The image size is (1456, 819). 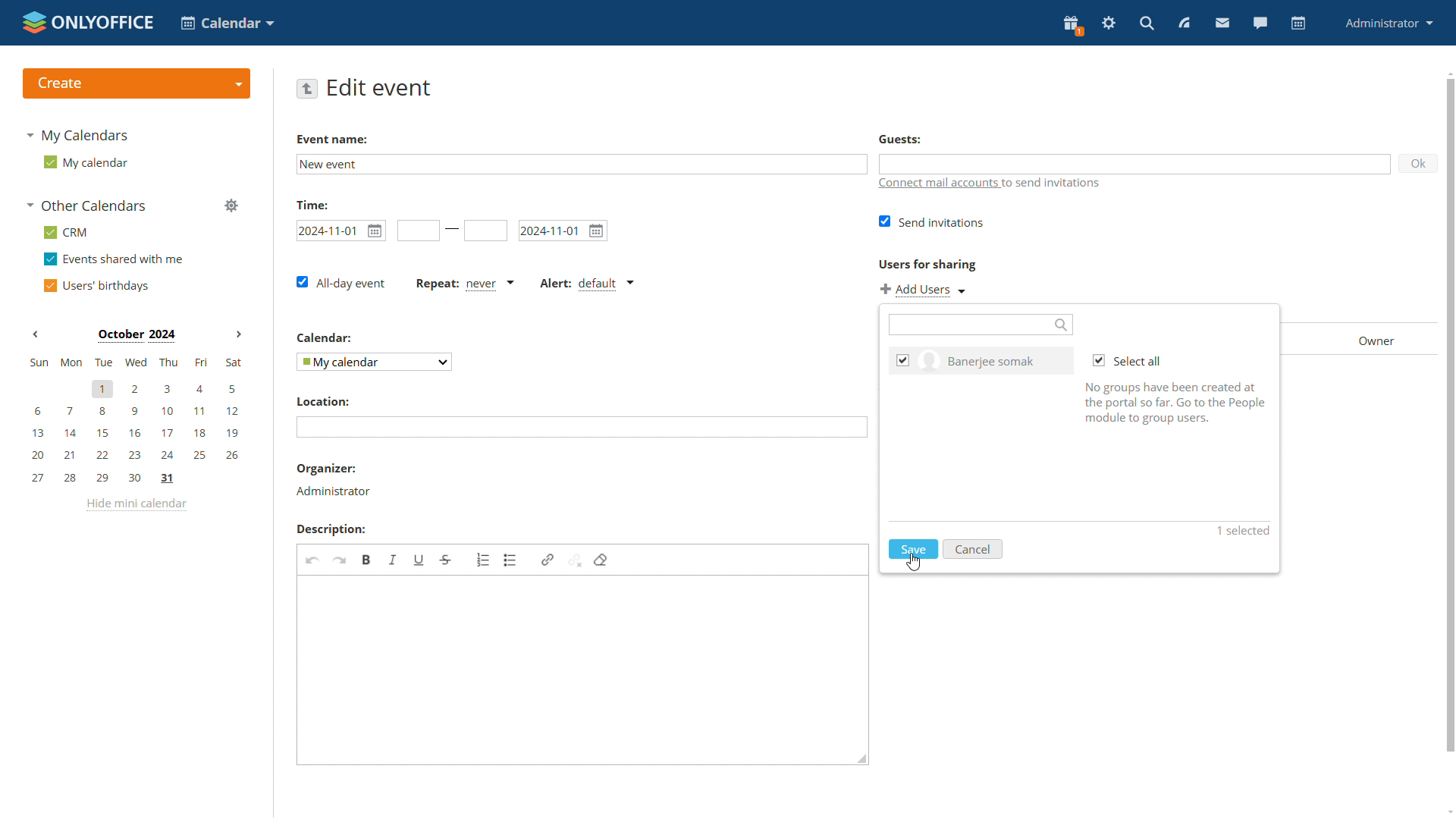 What do you see at coordinates (314, 205) in the screenshot?
I see `time` at bounding box center [314, 205].